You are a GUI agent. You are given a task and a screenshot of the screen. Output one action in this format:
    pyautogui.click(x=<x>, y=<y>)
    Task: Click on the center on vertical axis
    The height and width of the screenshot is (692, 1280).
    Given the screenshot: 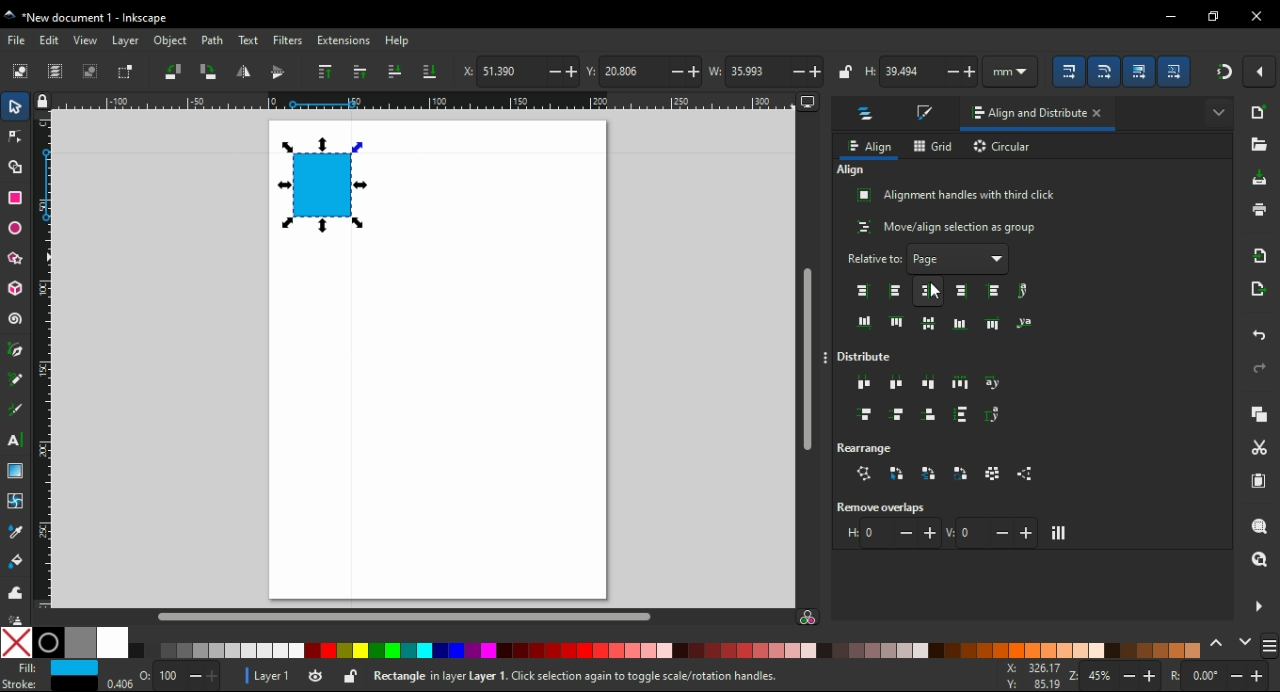 What is the action you would take?
    pyautogui.click(x=931, y=290)
    